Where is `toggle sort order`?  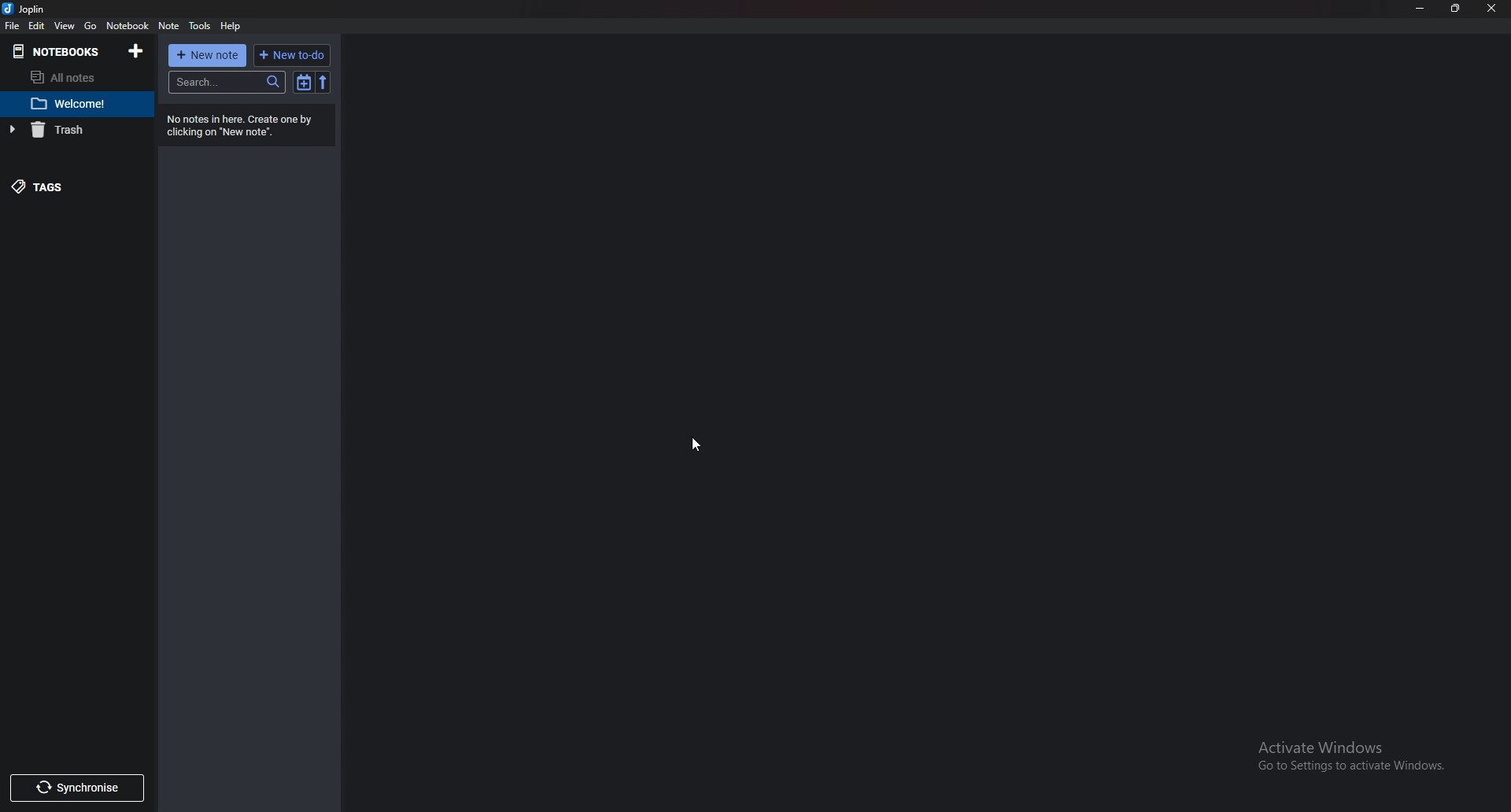 toggle sort order is located at coordinates (304, 83).